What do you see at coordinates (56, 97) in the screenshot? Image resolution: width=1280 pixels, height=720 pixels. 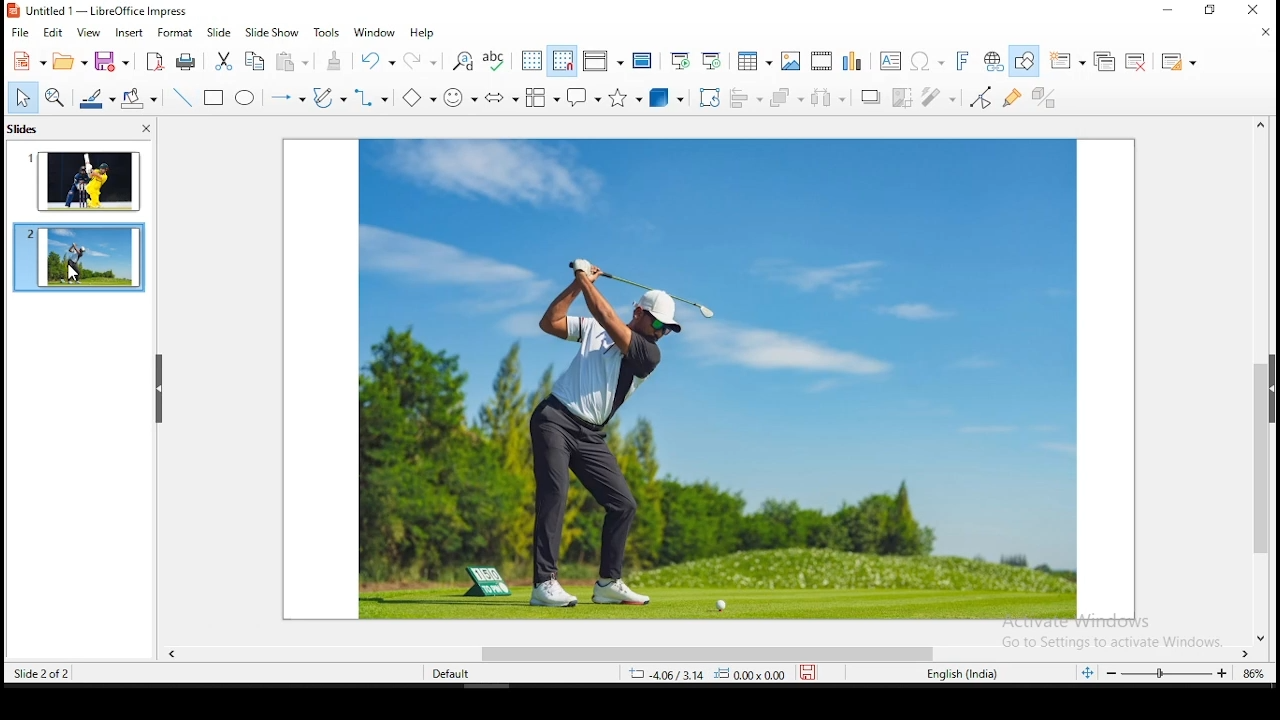 I see `zoom and pan` at bounding box center [56, 97].